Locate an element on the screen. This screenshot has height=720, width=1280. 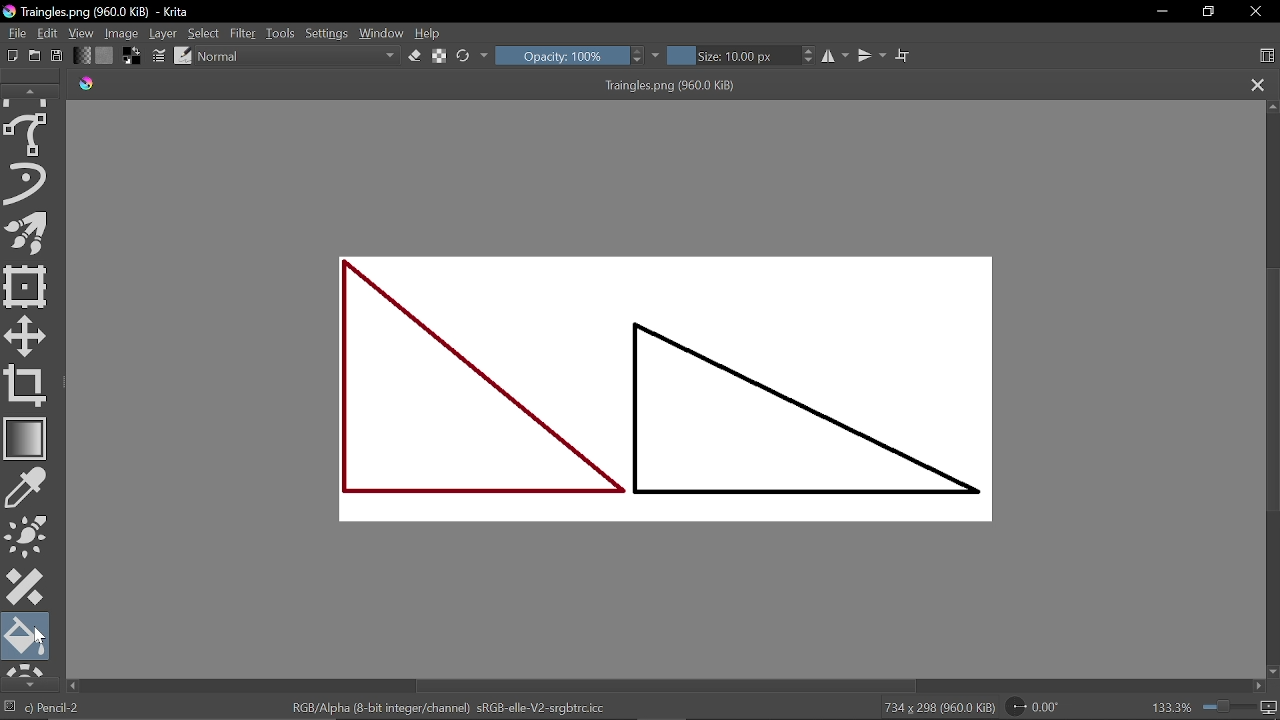
734 x 298 (960.0 KiB) is located at coordinates (936, 708).